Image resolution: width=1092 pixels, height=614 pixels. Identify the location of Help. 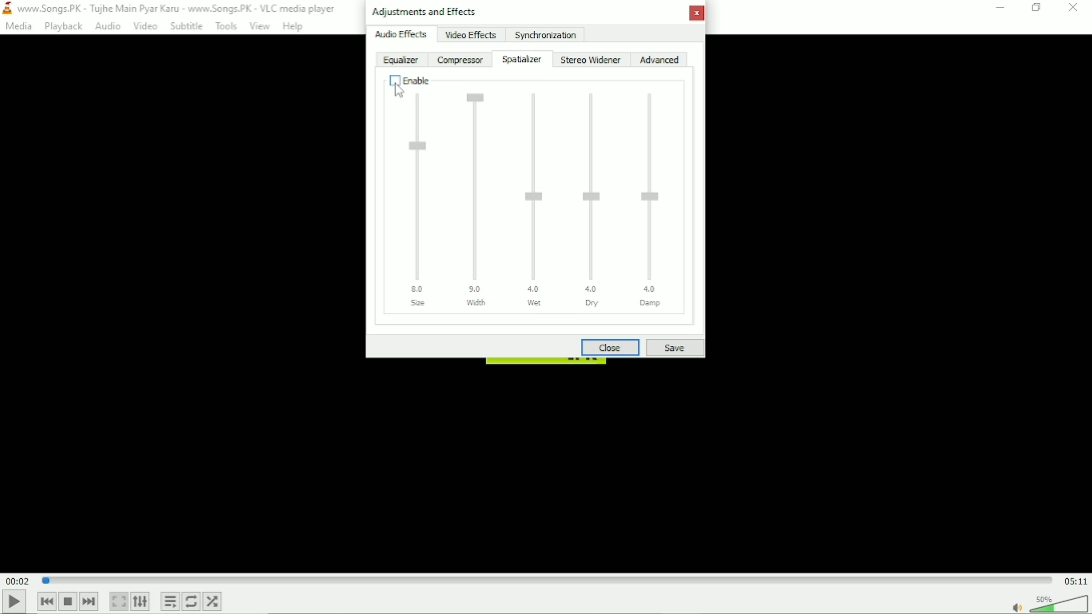
(294, 26).